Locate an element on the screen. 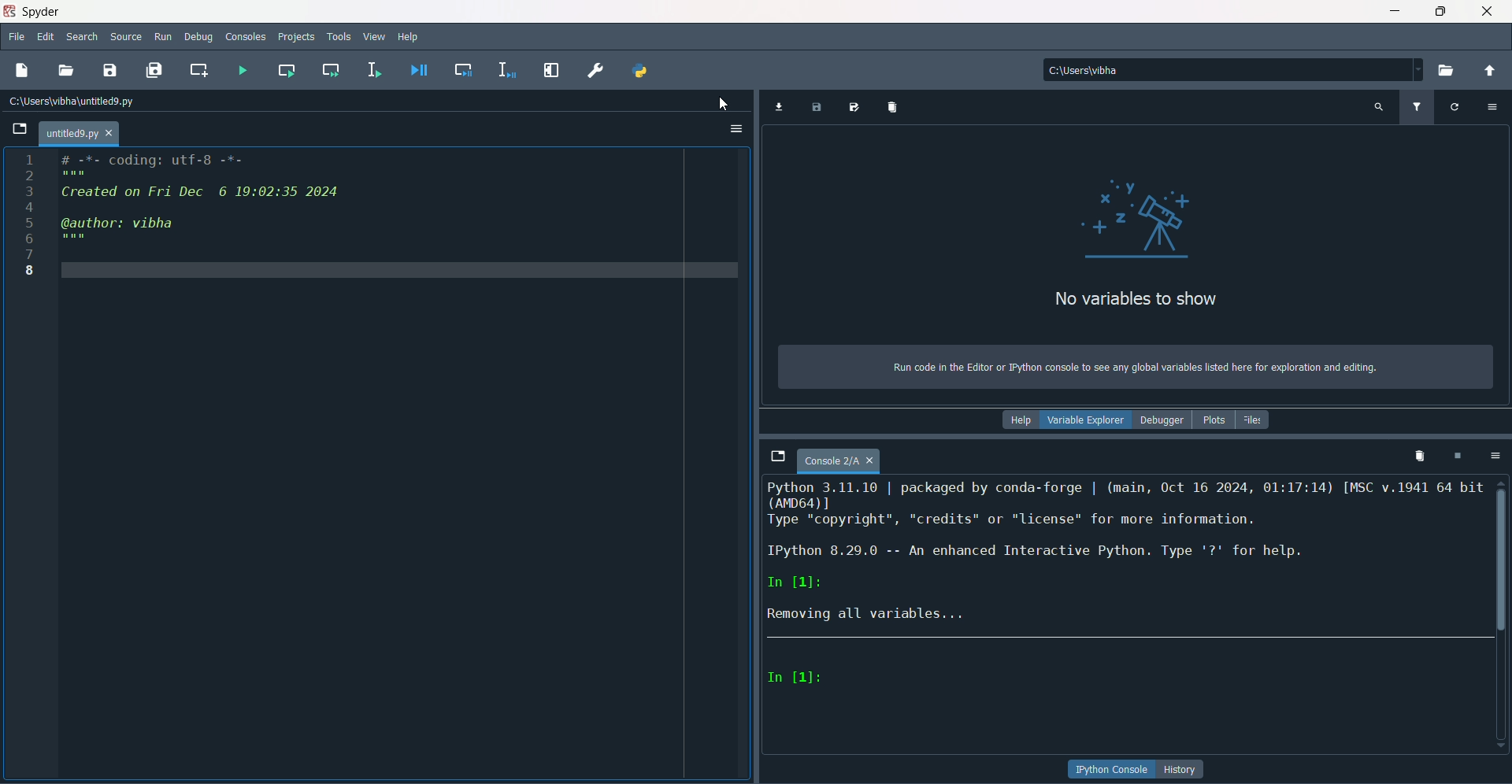  save file is located at coordinates (110, 69).